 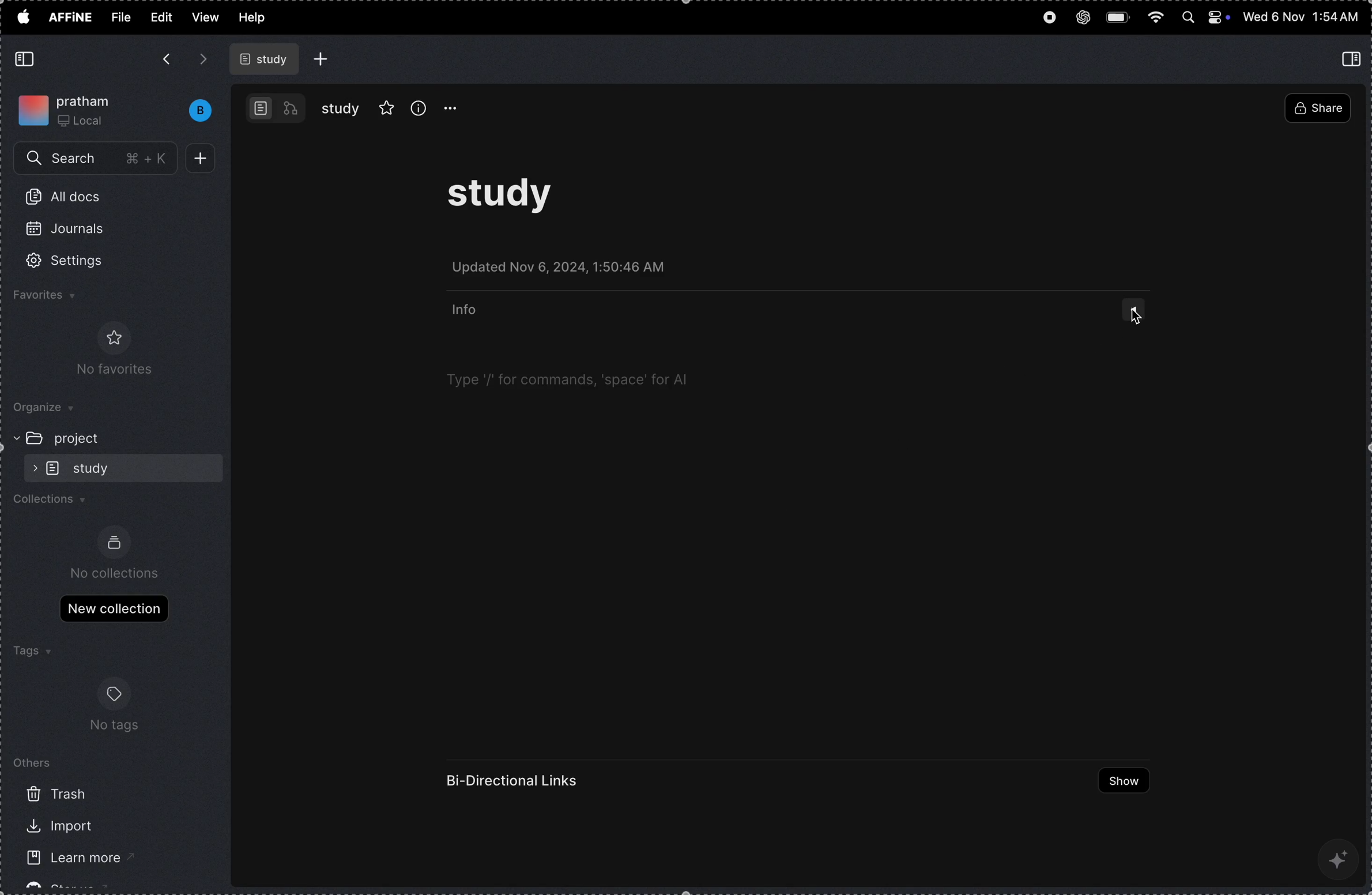 What do you see at coordinates (1136, 313) in the screenshot?
I see `drop down` at bounding box center [1136, 313].